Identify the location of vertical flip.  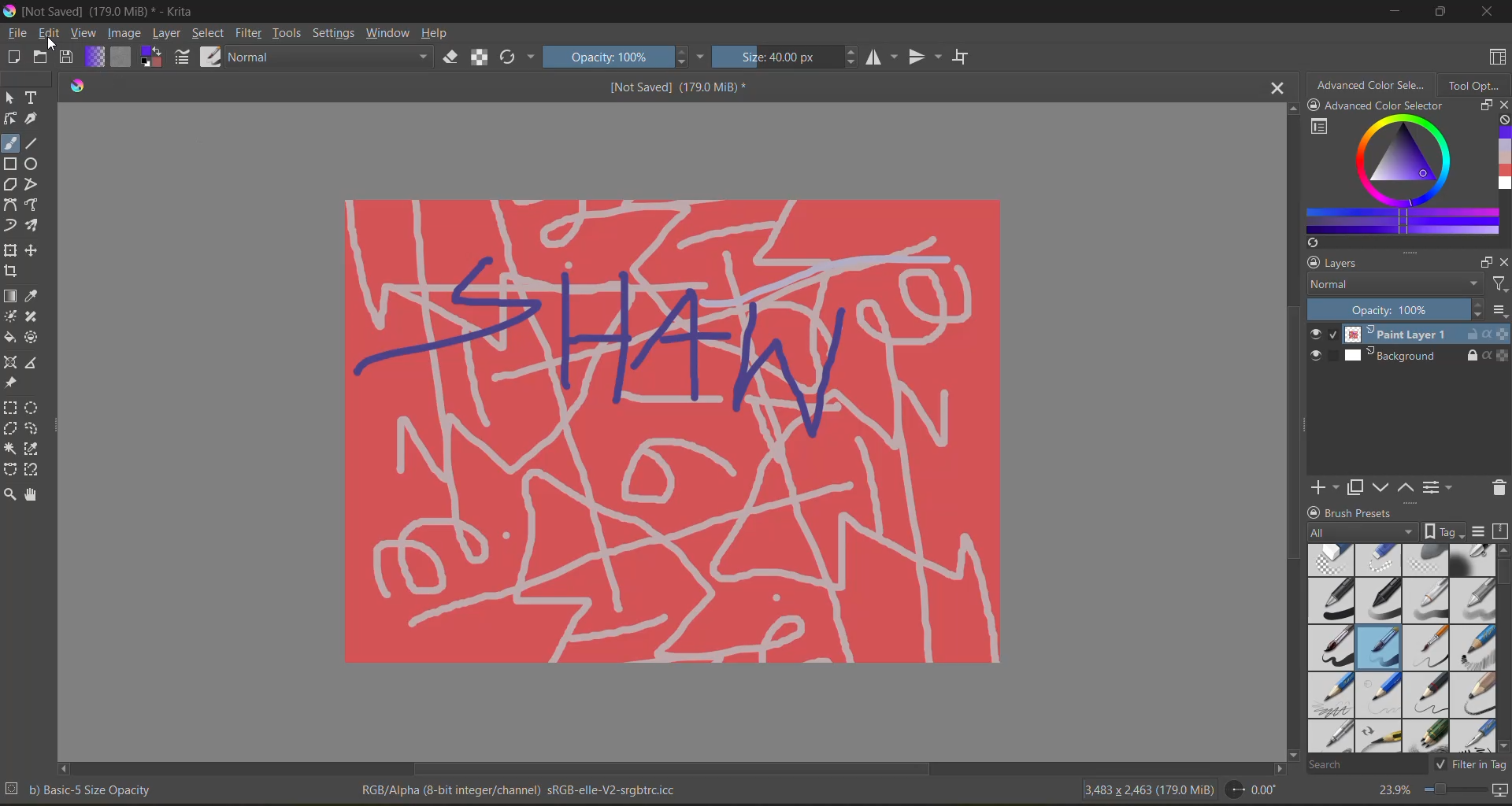
(925, 57).